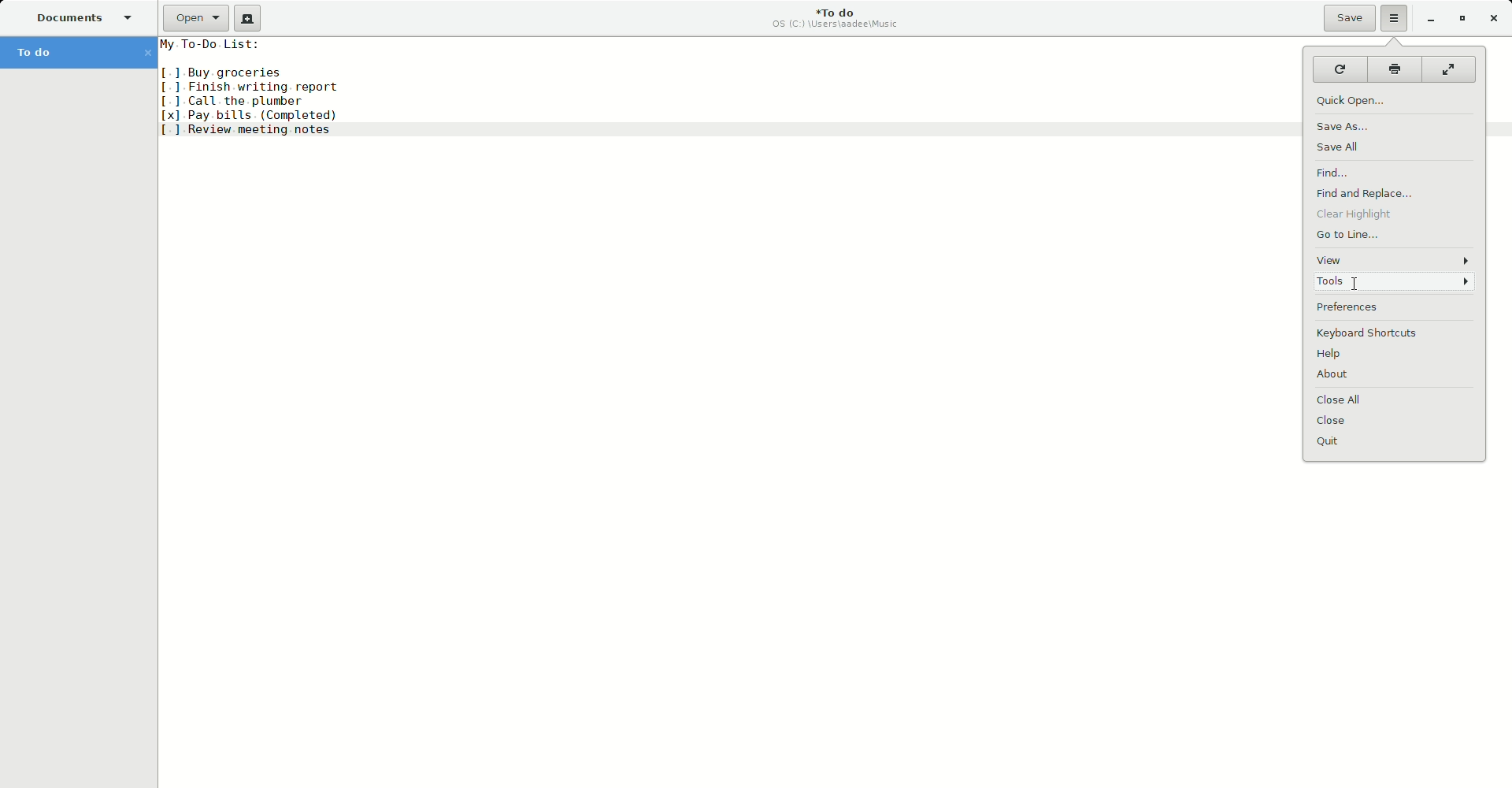 The image size is (1512, 788). I want to click on Clear highlight, so click(1357, 214).